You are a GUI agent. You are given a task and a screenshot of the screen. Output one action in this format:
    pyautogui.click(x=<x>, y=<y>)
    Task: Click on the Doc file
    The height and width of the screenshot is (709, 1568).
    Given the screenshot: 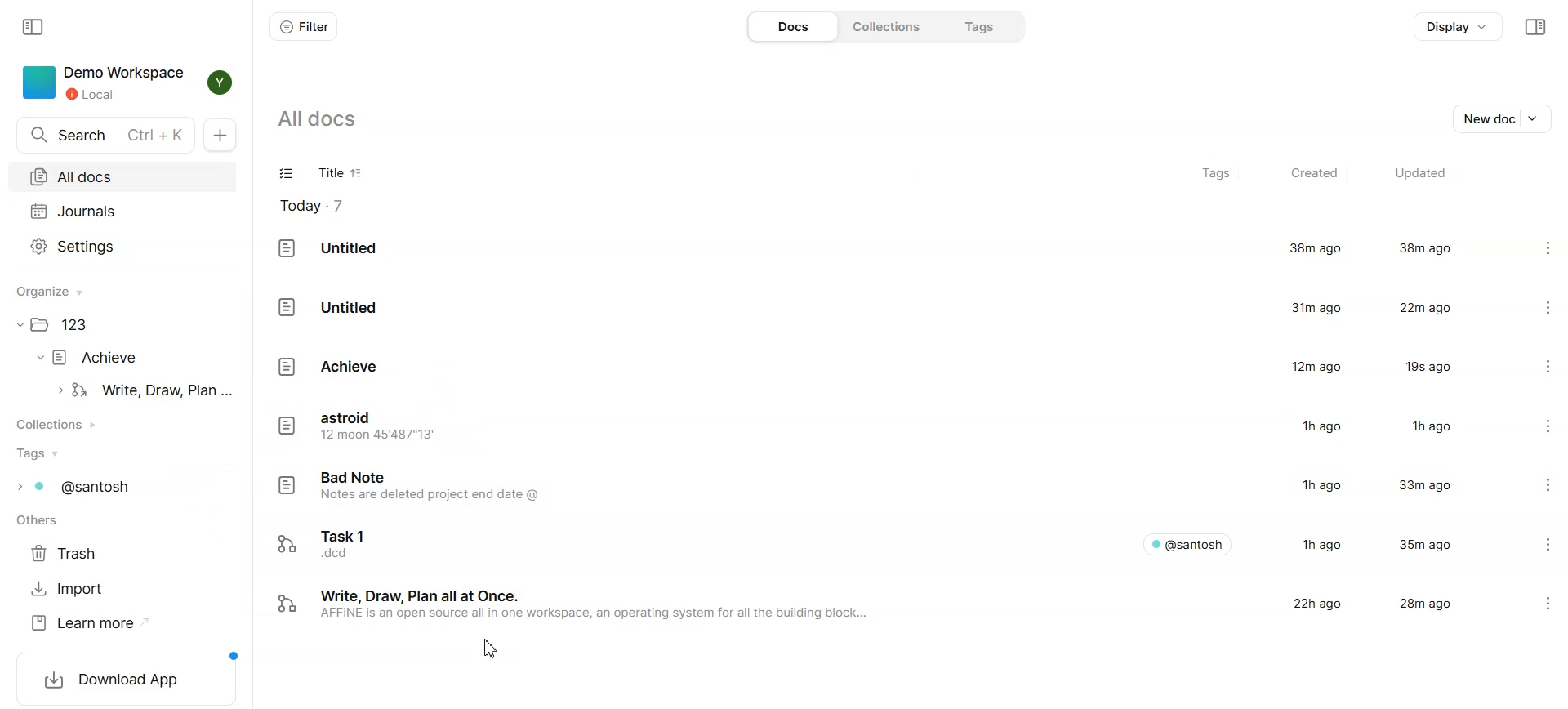 What is the action you would take?
    pyautogui.click(x=878, y=488)
    